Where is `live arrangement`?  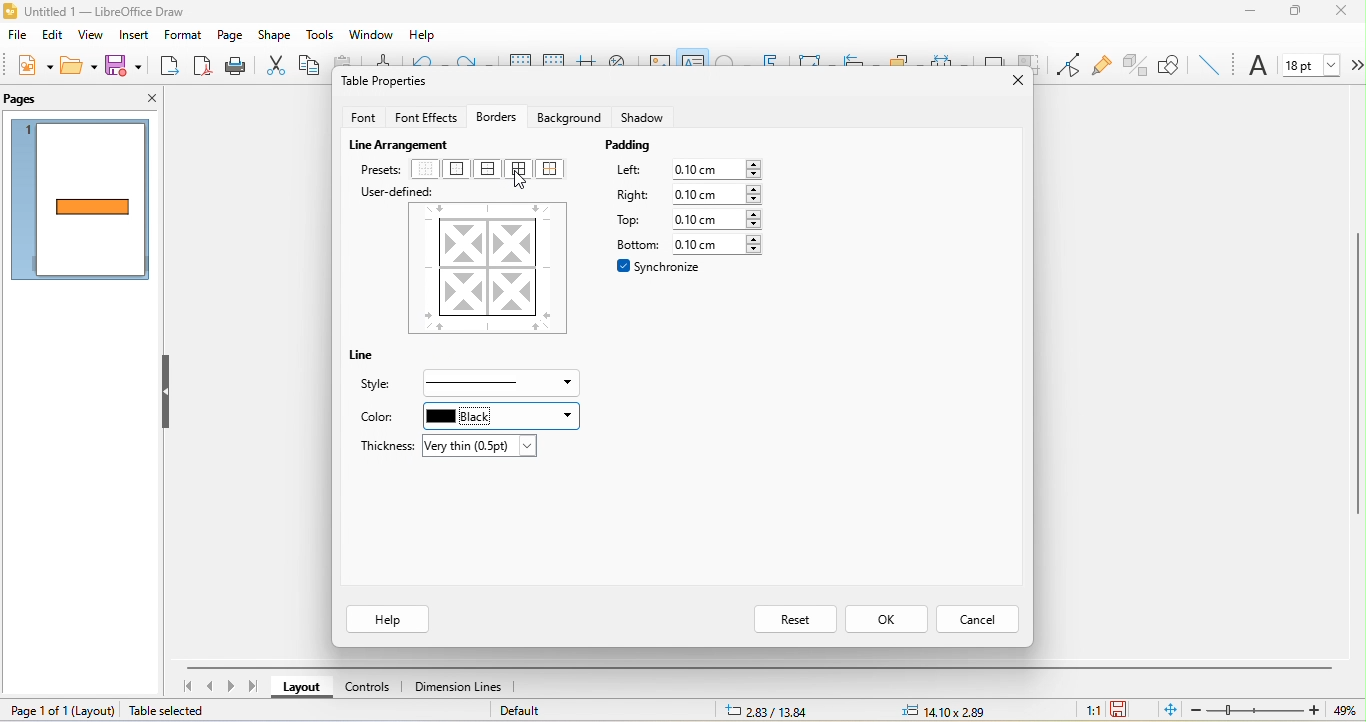 live arrangement is located at coordinates (403, 142).